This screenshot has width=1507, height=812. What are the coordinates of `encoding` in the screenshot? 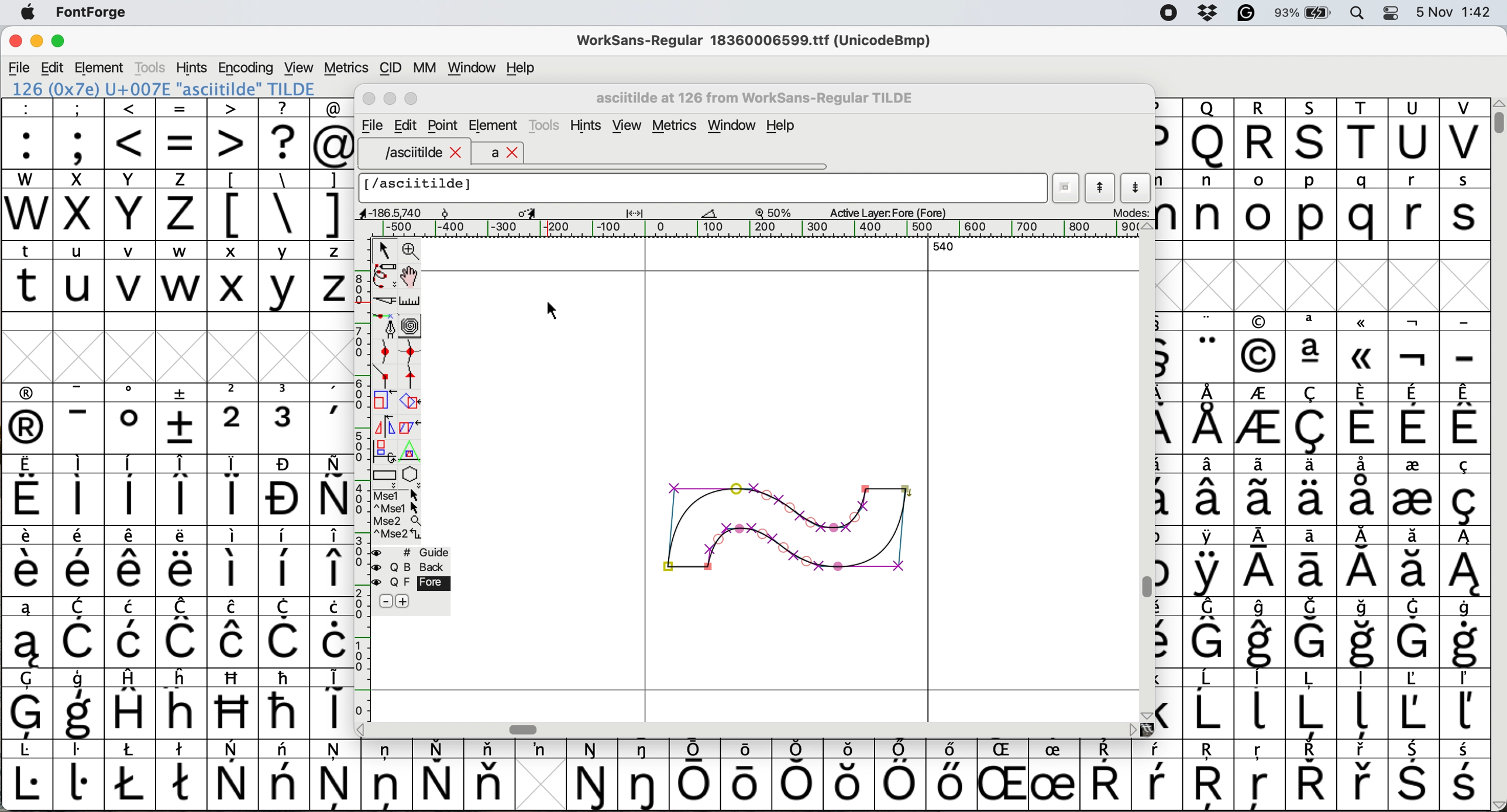 It's located at (247, 68).